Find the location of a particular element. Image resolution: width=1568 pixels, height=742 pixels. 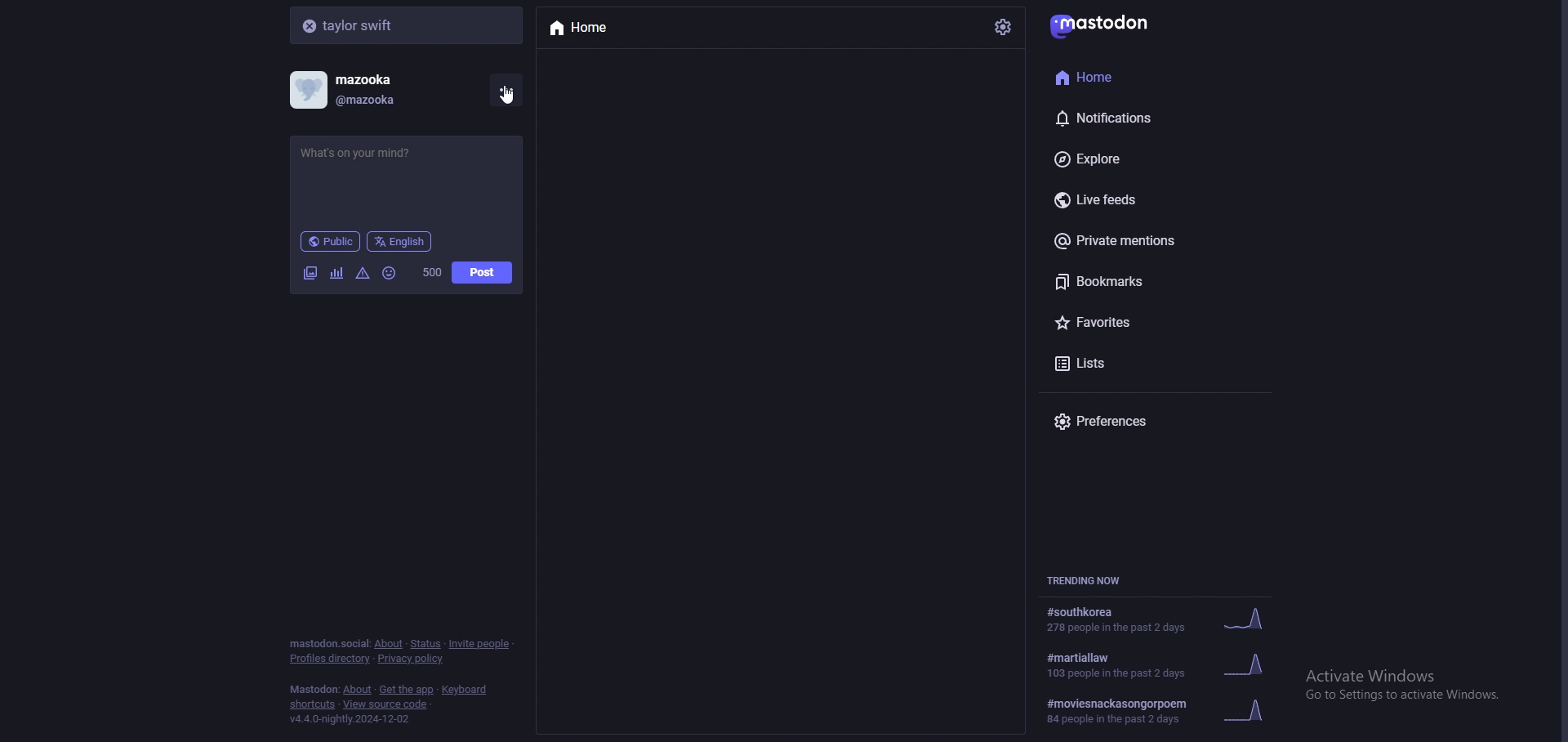

live feeds is located at coordinates (1143, 199).